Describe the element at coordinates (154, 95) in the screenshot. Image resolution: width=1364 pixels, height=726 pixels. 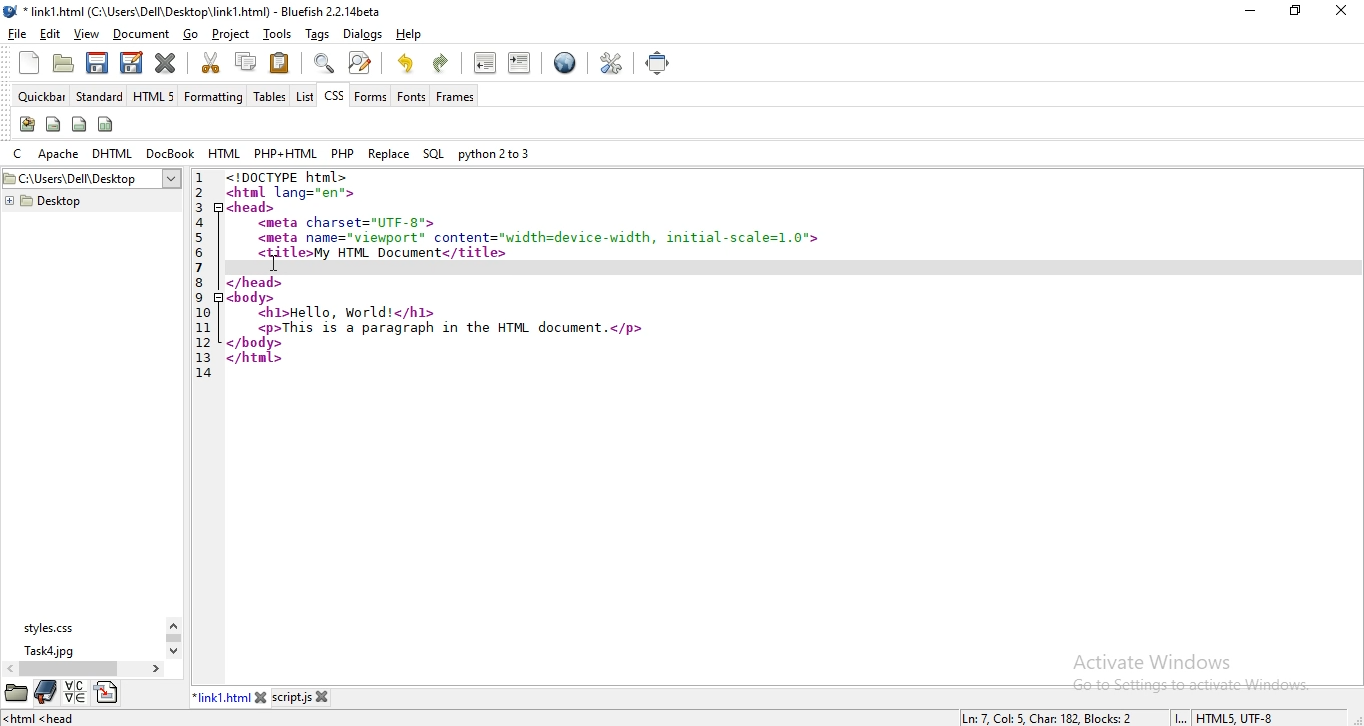
I see `html 5` at that location.